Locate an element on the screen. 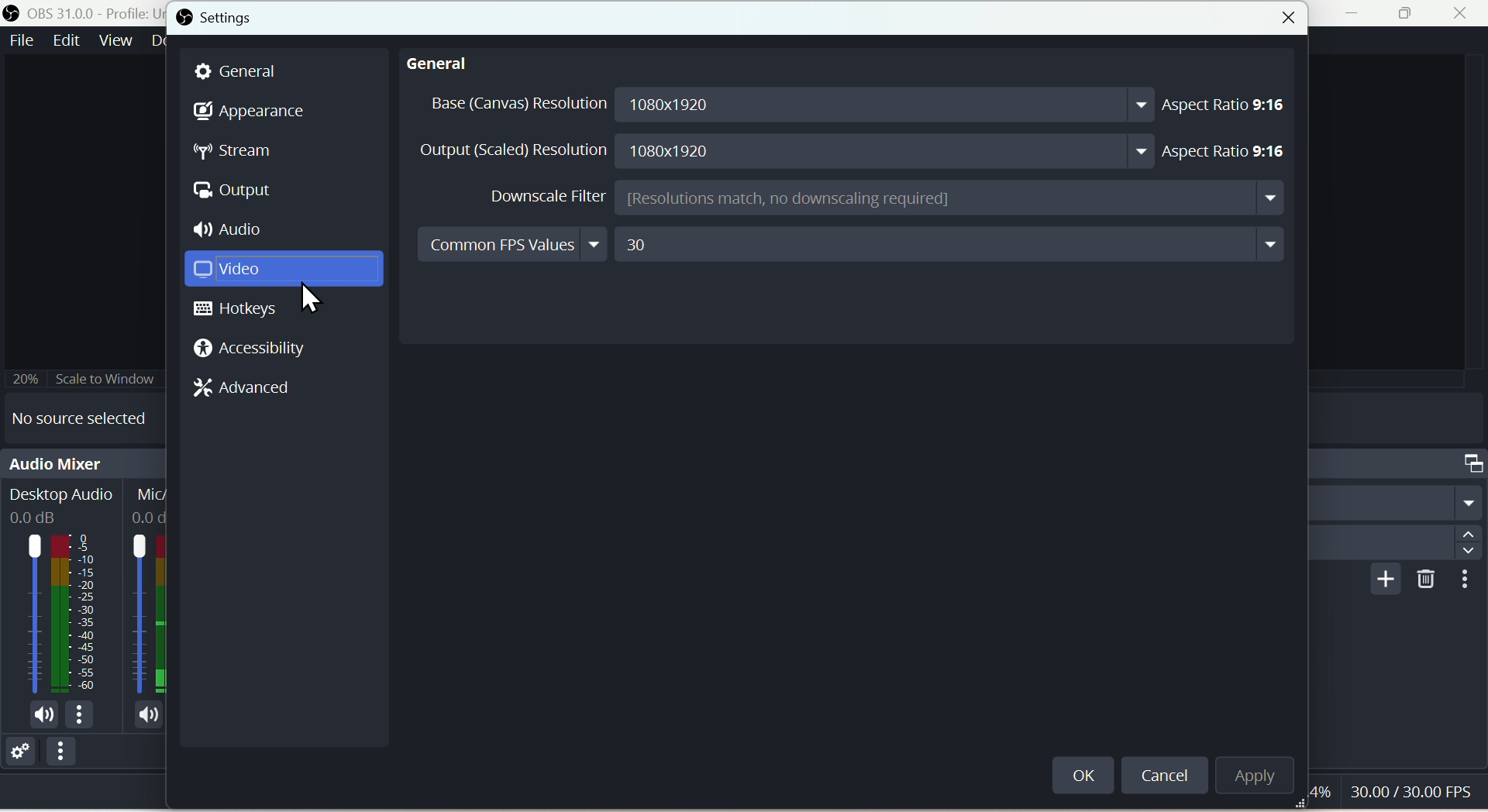 The image size is (1488, 812). Apply is located at coordinates (1249, 773).